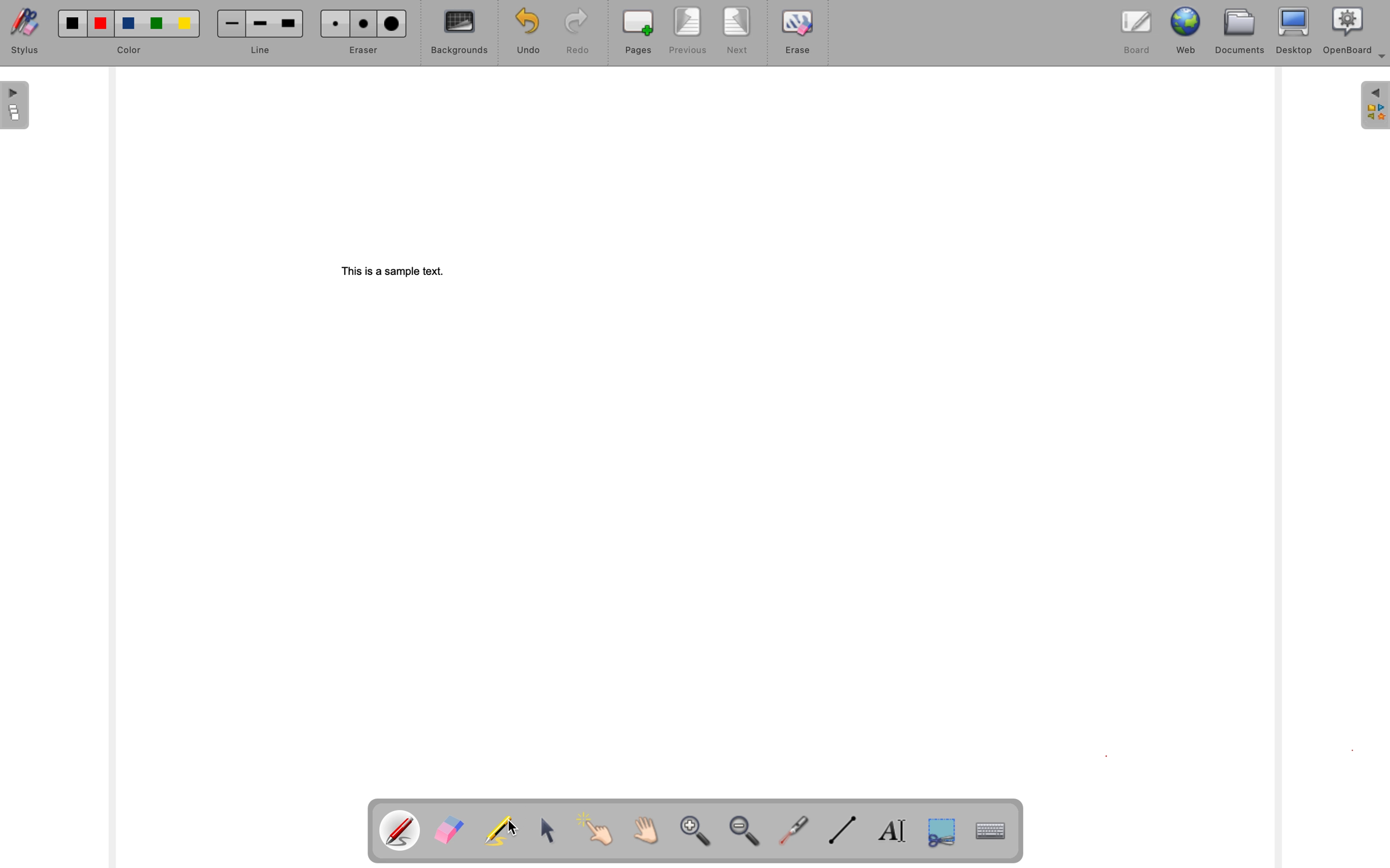 Image resolution: width=1390 pixels, height=868 pixels. I want to click on Color 4, so click(157, 24).